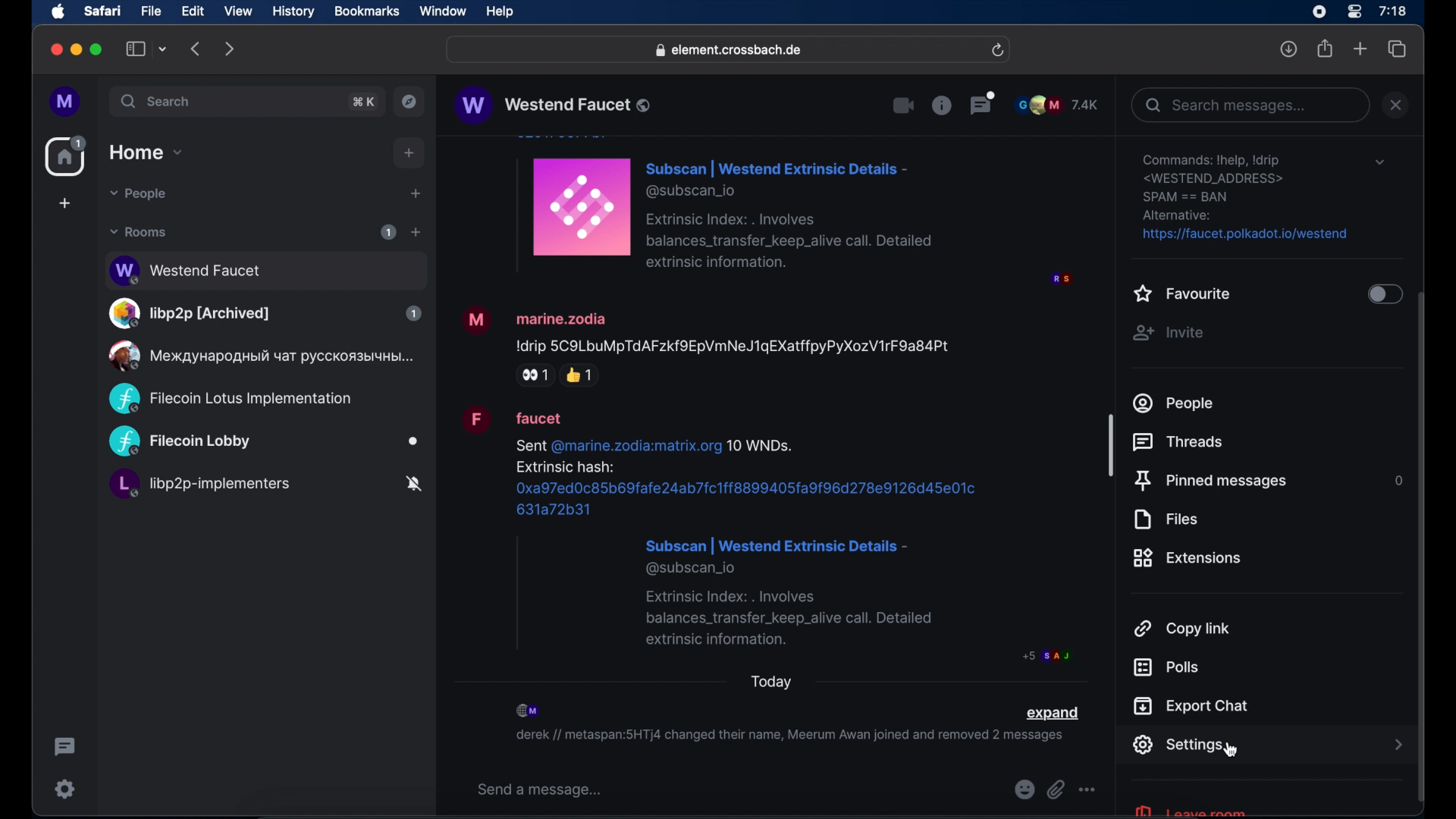 Image resolution: width=1456 pixels, height=819 pixels. Describe the element at coordinates (1249, 105) in the screenshot. I see `search messages` at that location.